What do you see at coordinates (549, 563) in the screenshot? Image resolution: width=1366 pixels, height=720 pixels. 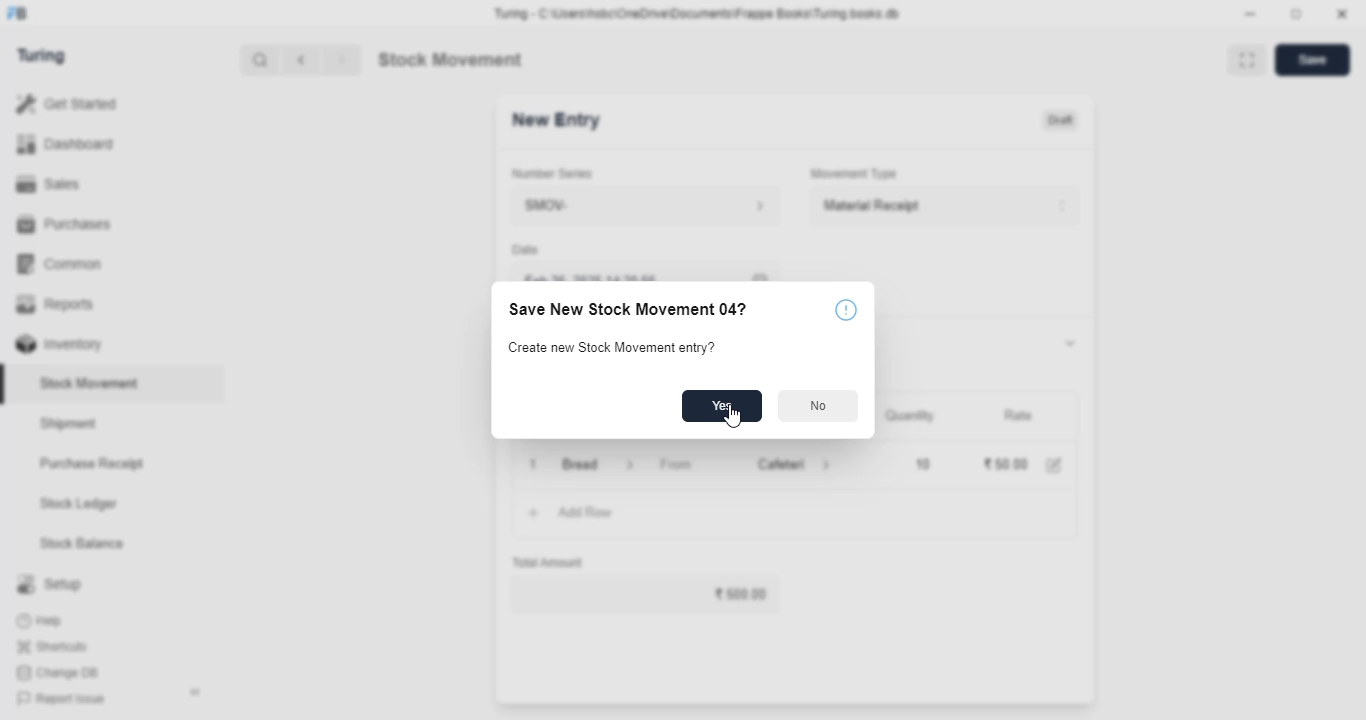 I see `total amount` at bounding box center [549, 563].